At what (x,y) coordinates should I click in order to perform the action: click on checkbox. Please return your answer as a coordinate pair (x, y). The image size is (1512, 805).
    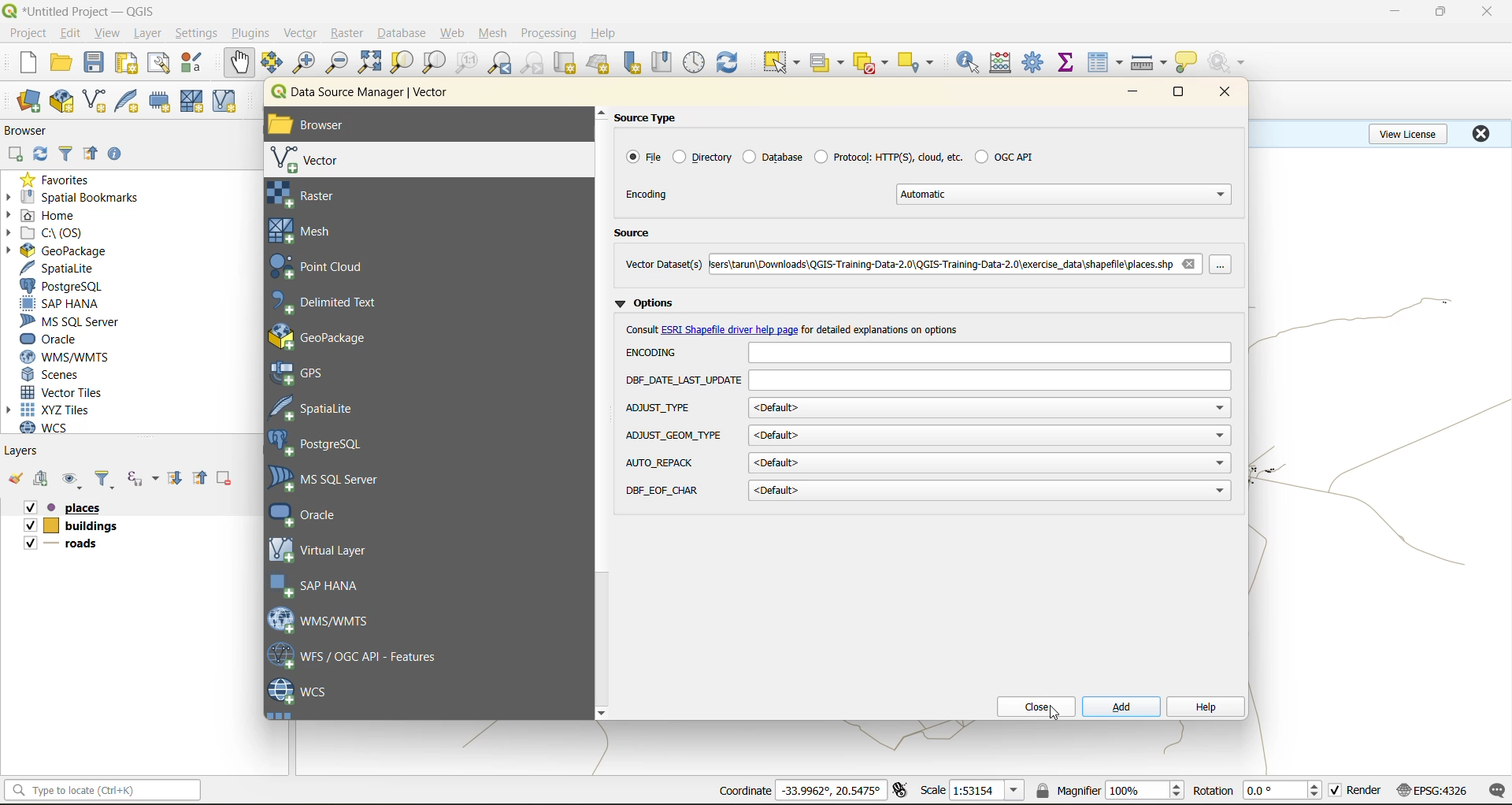
    Looking at the image, I should click on (28, 525).